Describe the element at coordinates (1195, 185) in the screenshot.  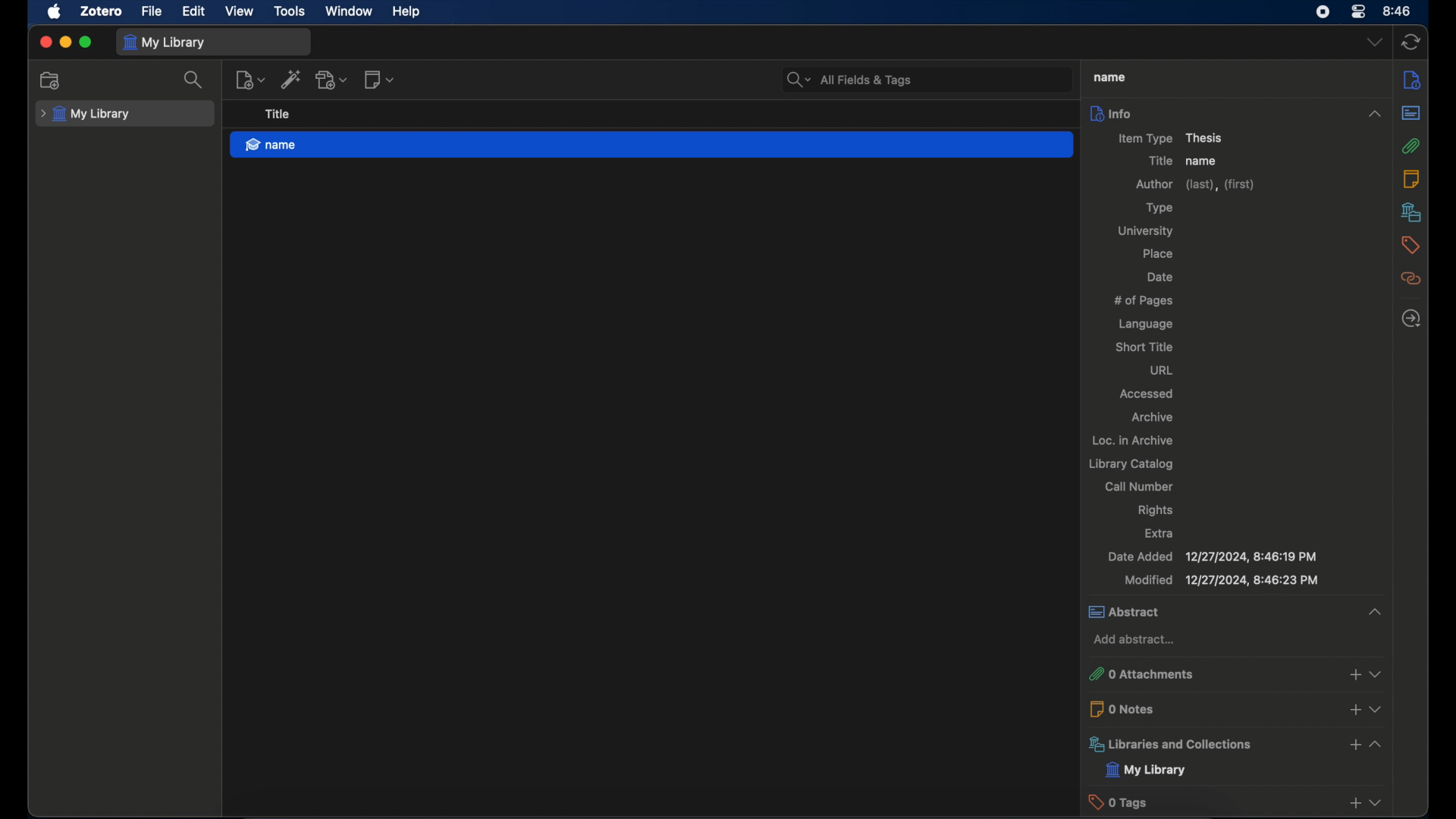
I see `author` at that location.